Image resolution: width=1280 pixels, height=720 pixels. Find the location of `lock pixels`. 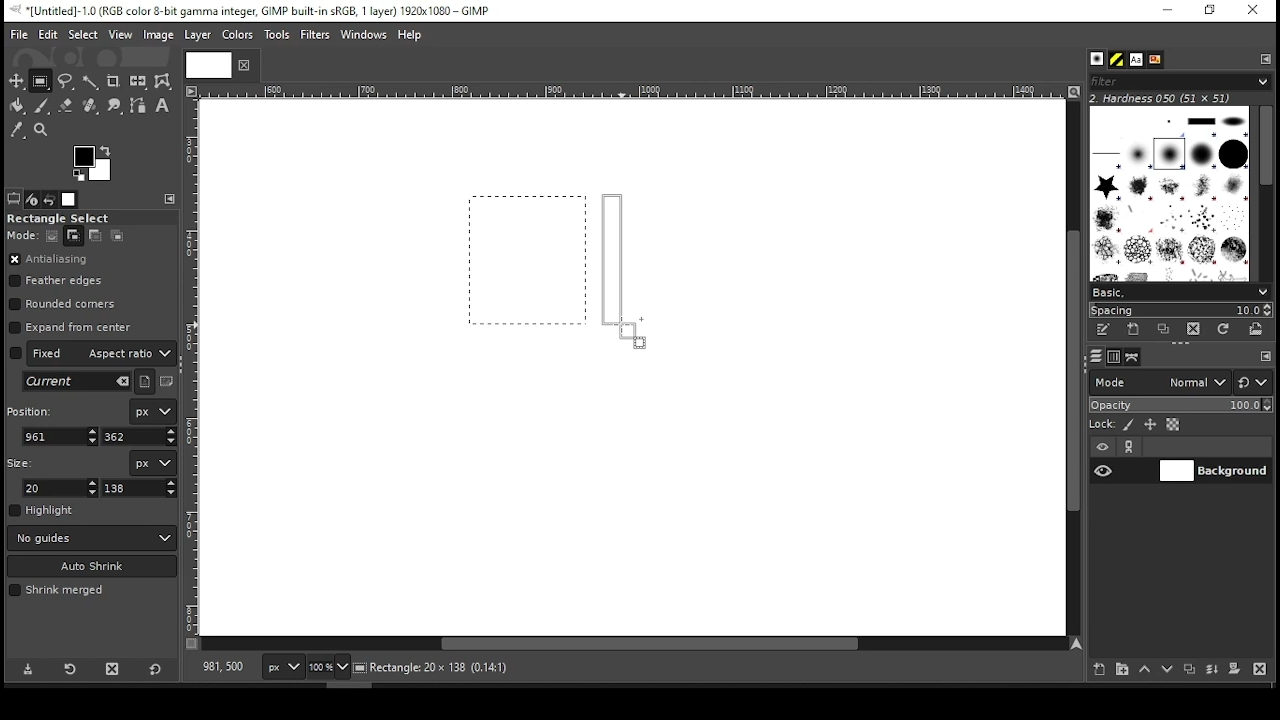

lock pixels is located at coordinates (1132, 425).